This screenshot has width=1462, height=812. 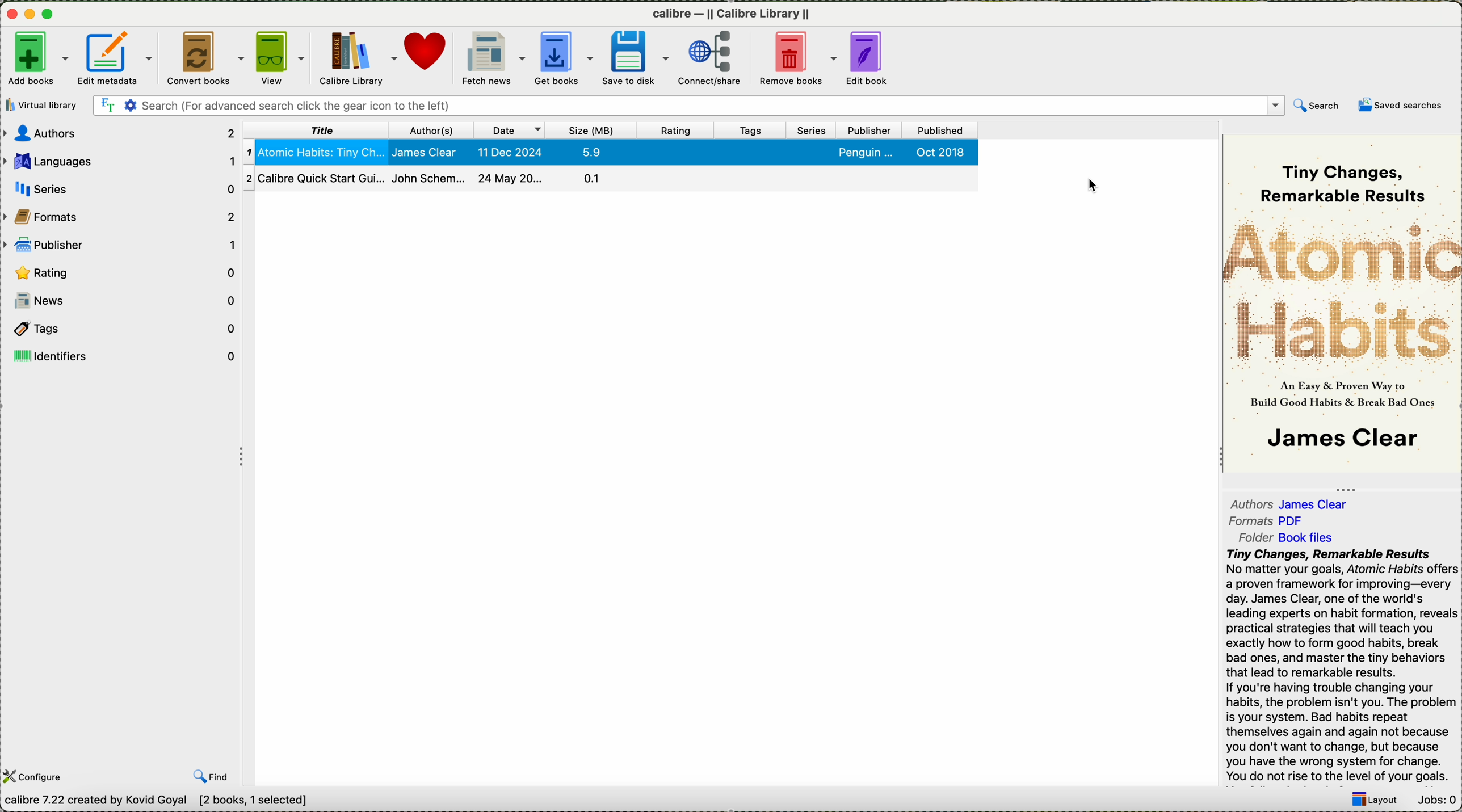 I want to click on tags, so click(x=751, y=131).